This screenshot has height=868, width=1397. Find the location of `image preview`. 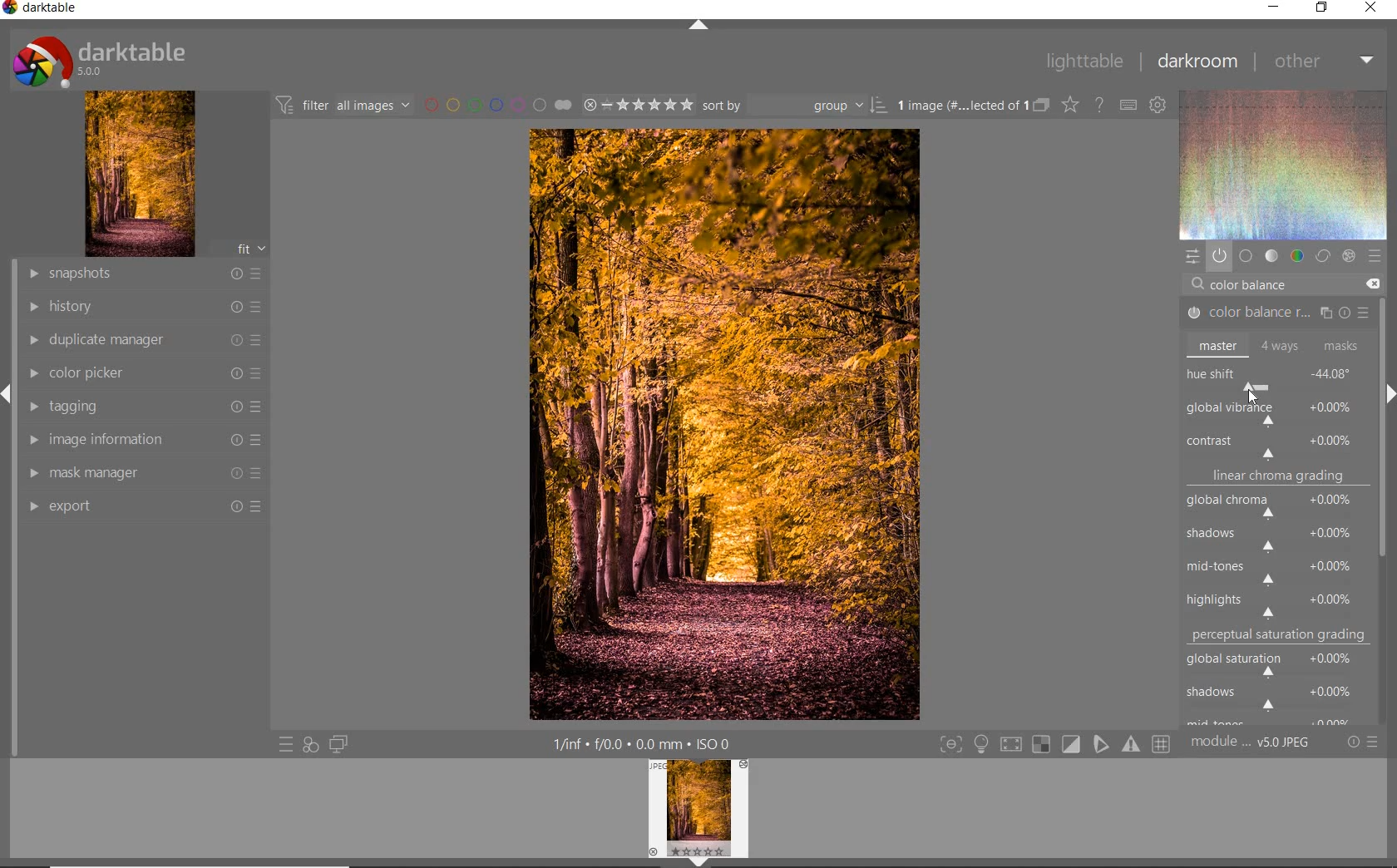

image preview is located at coordinates (698, 814).